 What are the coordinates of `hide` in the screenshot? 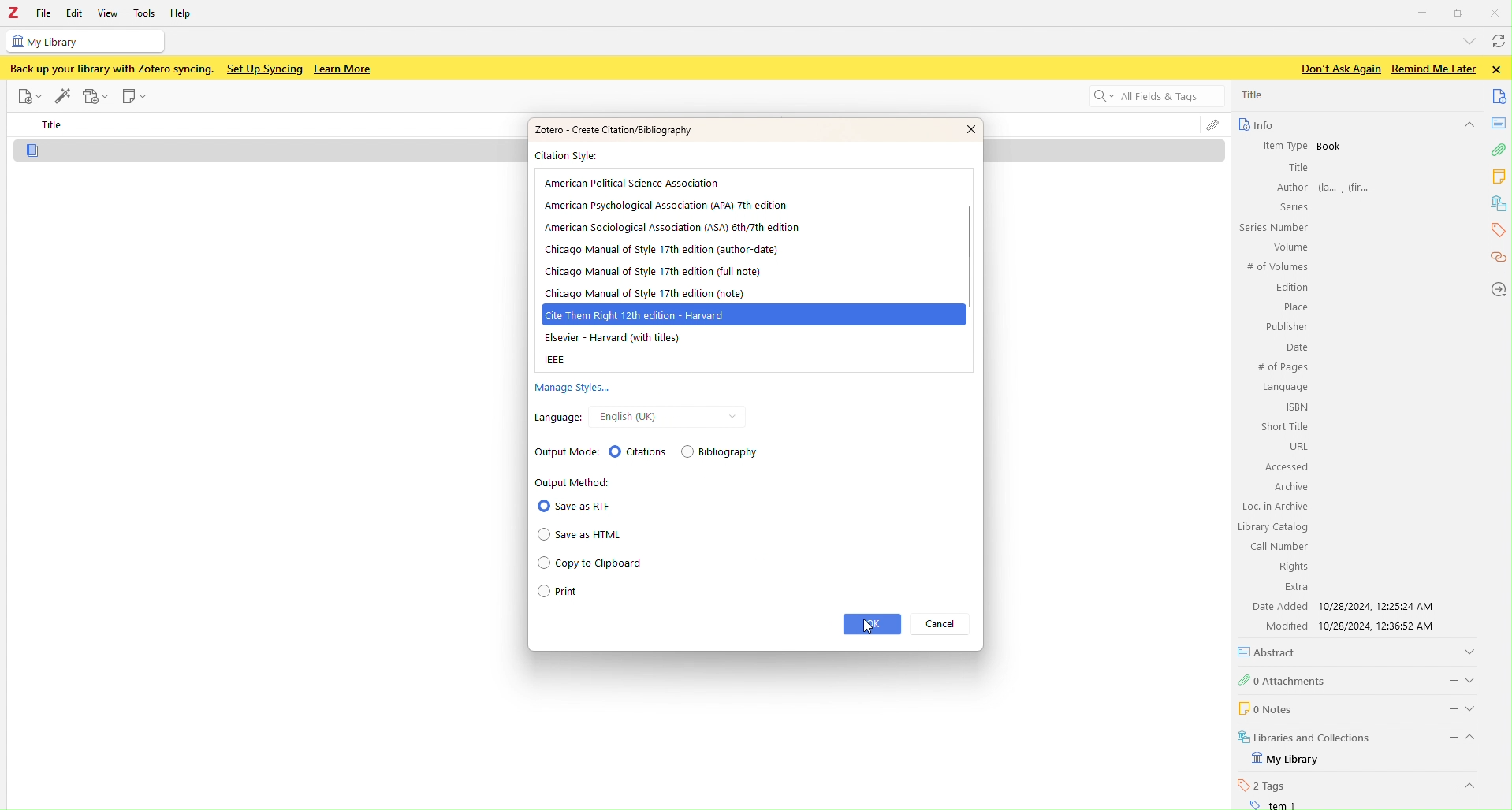 It's located at (1468, 126).